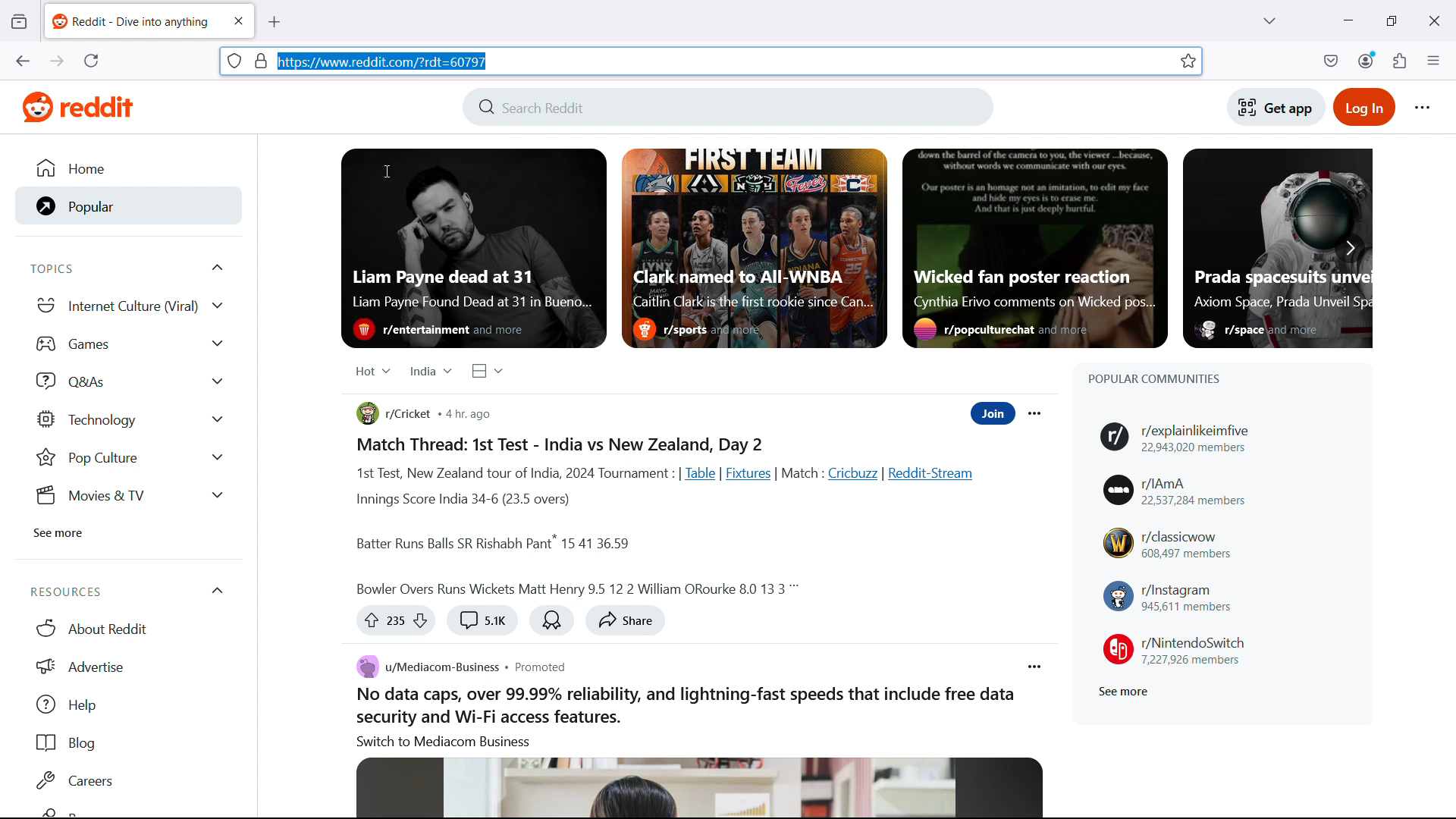  I want to click on Post type: promoted, so click(540, 666).